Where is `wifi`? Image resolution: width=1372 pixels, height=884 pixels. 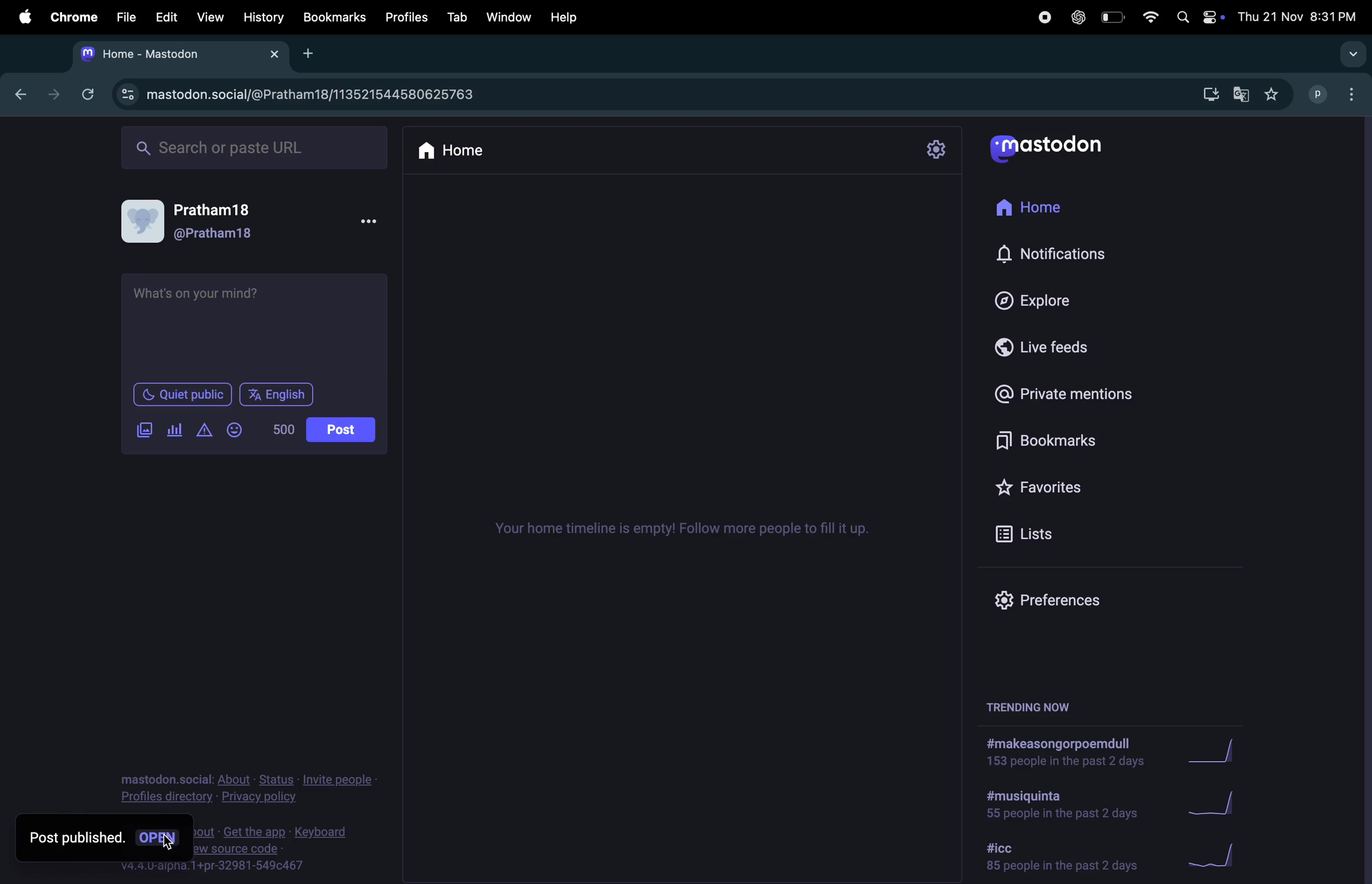
wifi is located at coordinates (1152, 20).